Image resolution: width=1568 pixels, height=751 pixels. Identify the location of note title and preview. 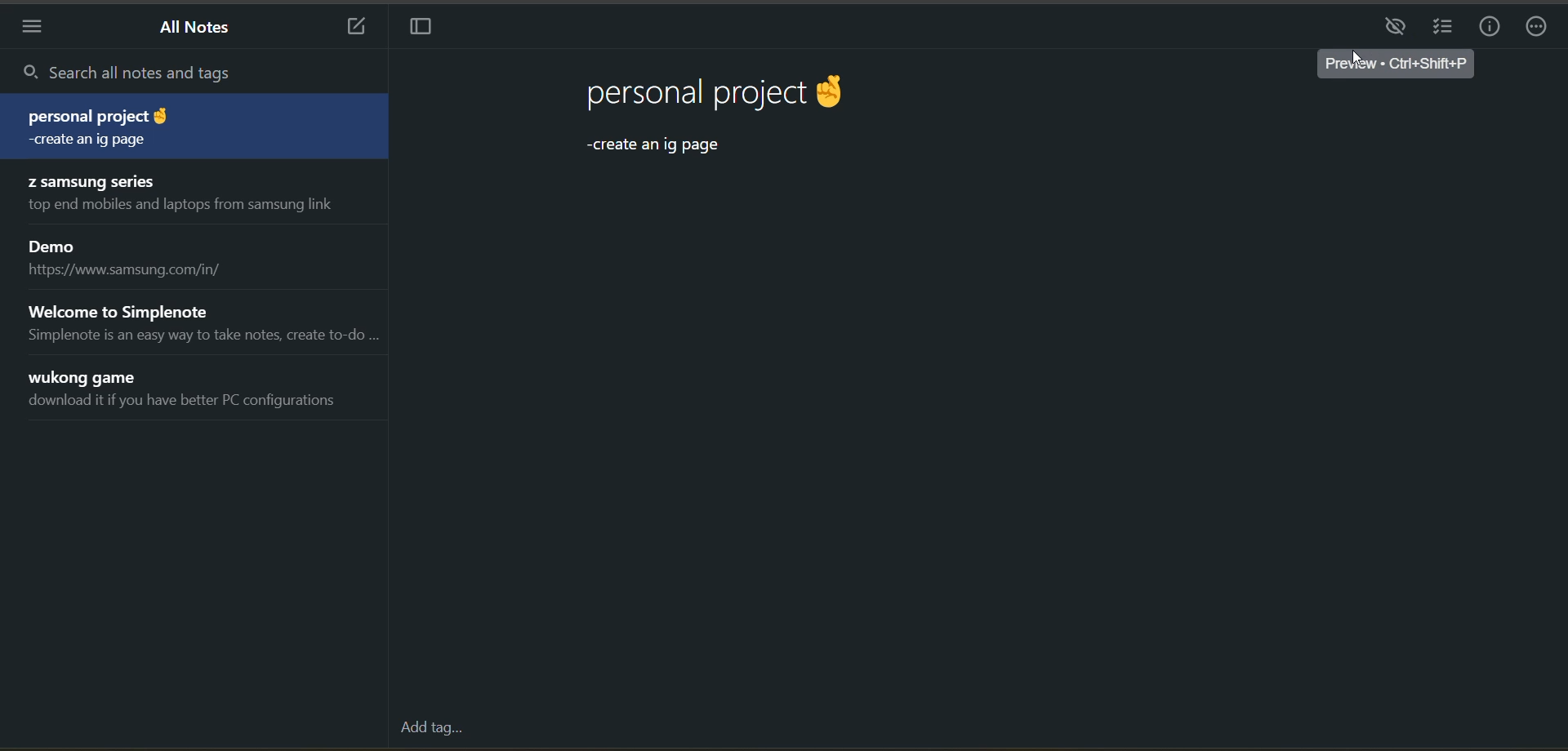
(189, 125).